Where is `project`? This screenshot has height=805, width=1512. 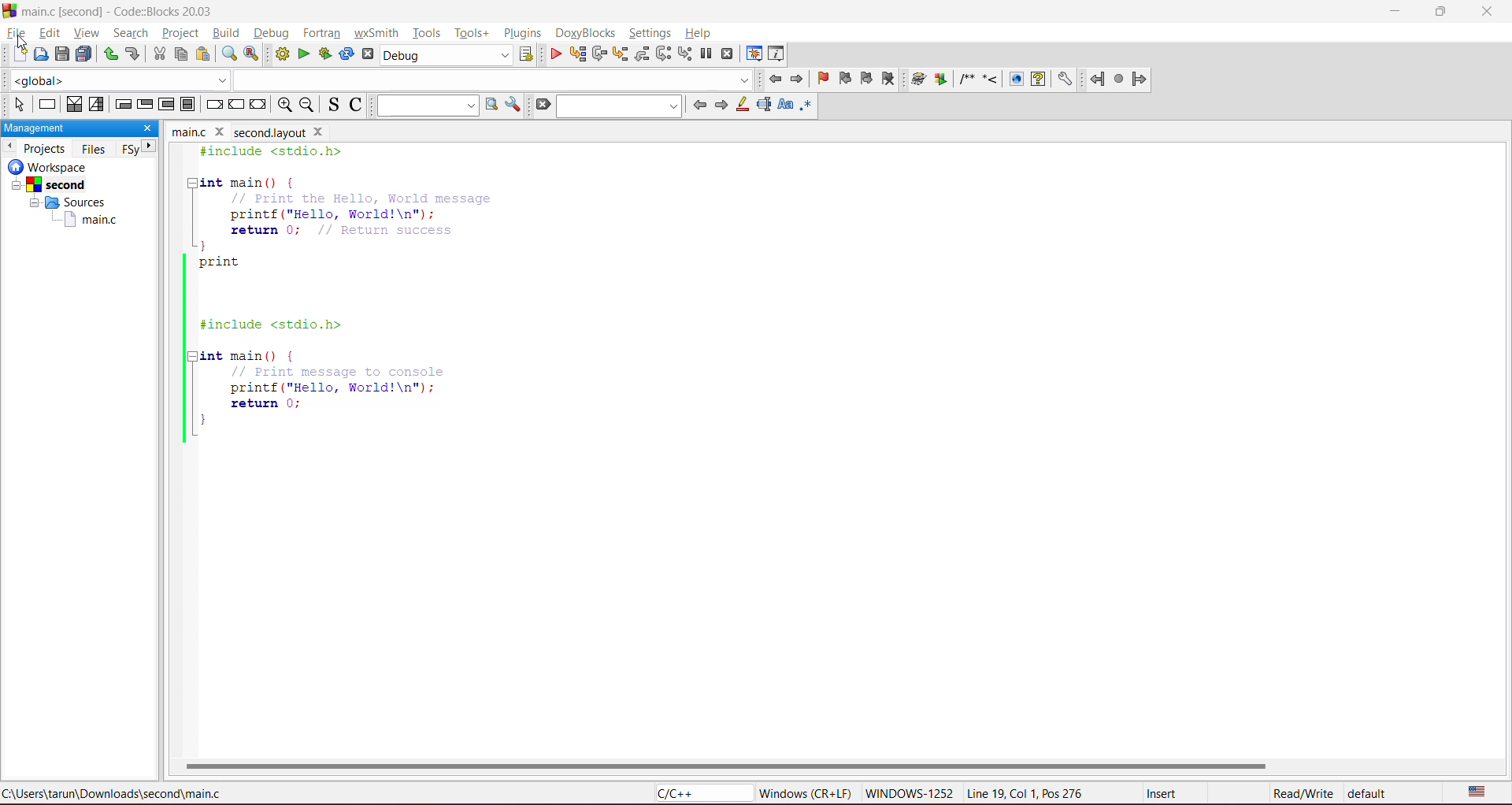
project is located at coordinates (182, 33).